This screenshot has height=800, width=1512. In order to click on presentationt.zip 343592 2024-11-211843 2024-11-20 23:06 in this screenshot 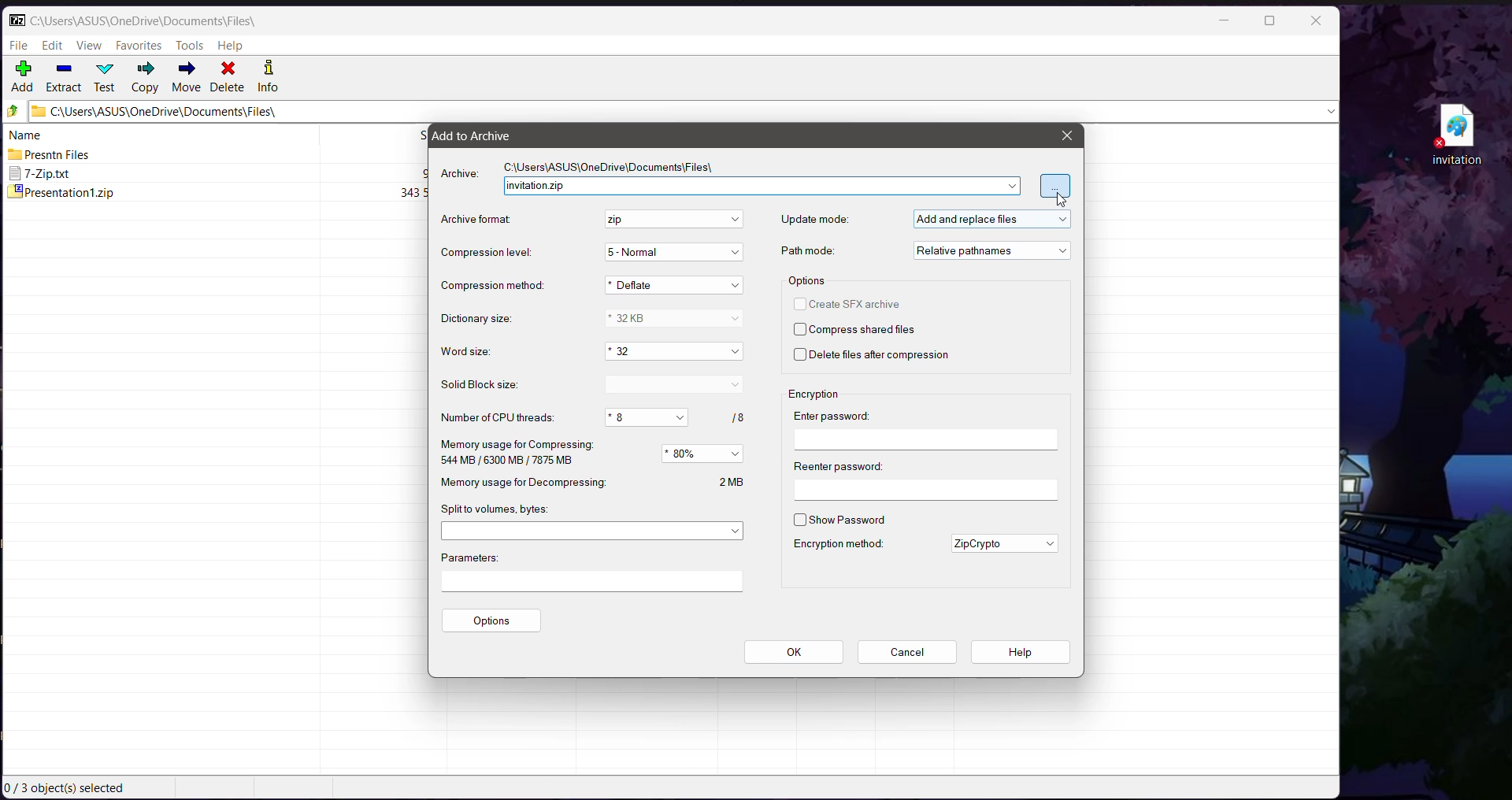, I will do `click(216, 194)`.